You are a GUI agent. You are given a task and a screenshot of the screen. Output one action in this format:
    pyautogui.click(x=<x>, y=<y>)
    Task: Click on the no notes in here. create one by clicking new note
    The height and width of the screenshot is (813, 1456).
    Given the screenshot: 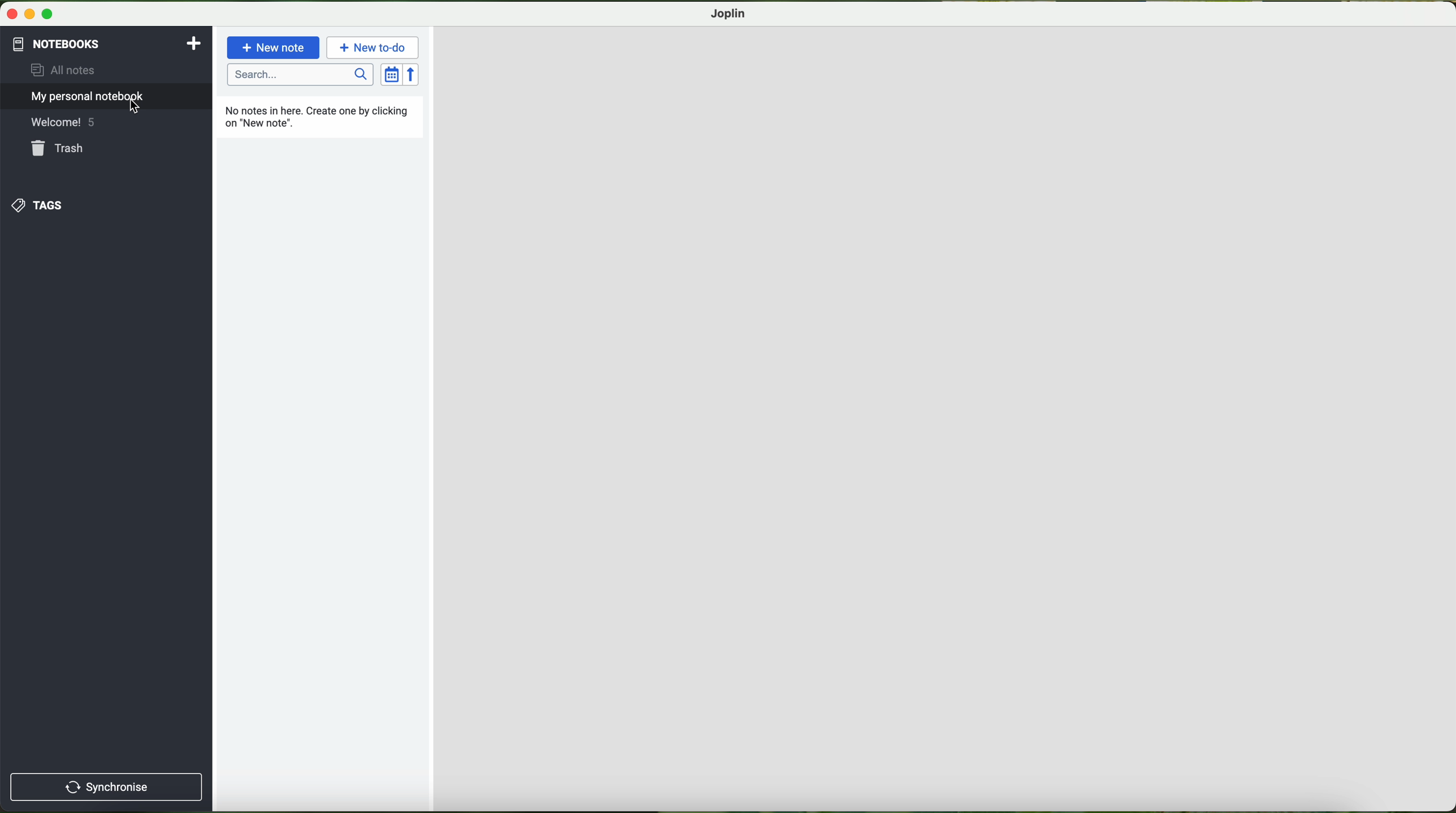 What is the action you would take?
    pyautogui.click(x=319, y=116)
    